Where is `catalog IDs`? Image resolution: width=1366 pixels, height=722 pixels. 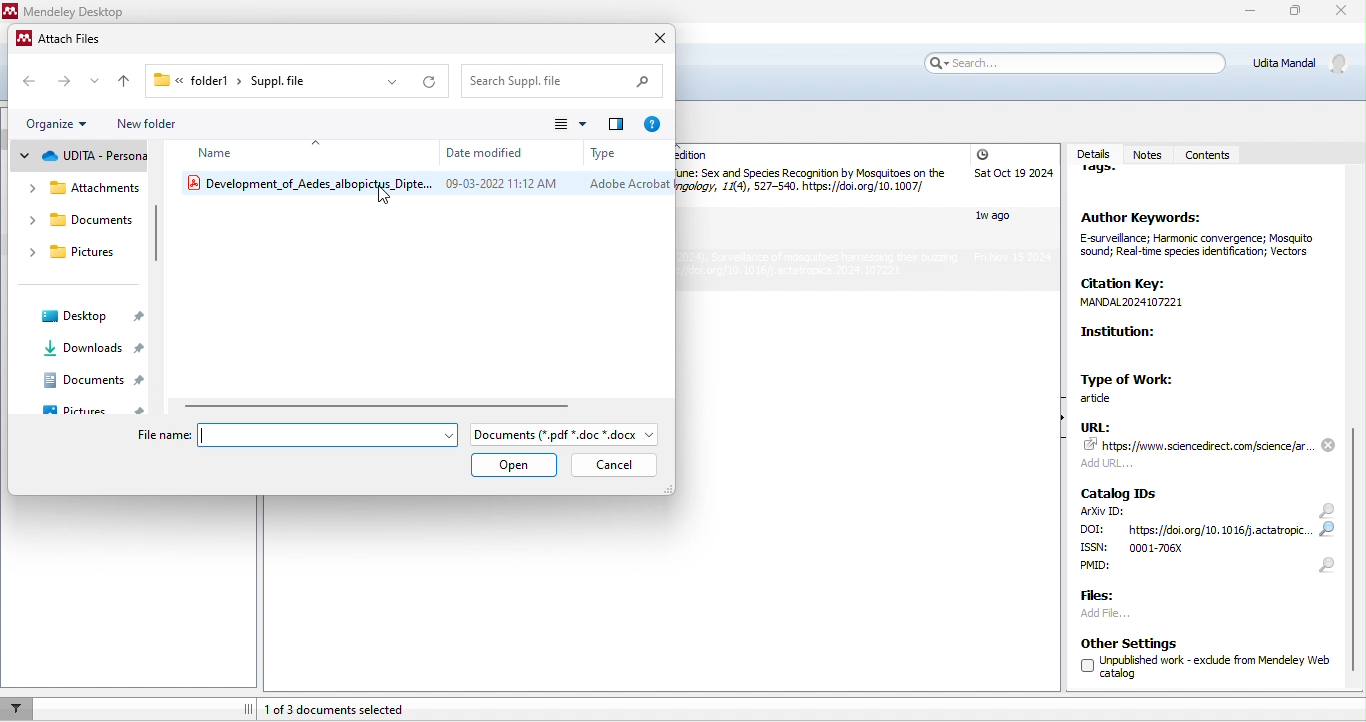
catalog IDs is located at coordinates (1122, 492).